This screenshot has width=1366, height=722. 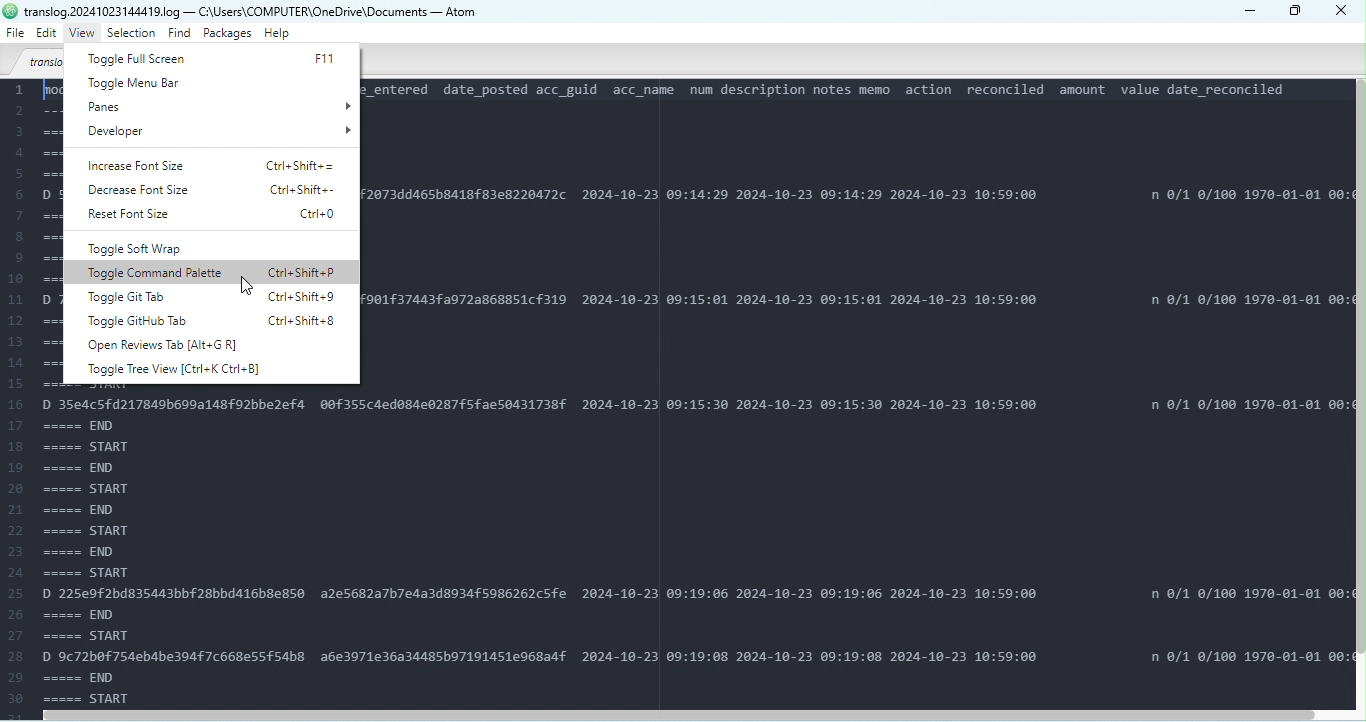 What do you see at coordinates (1248, 10) in the screenshot?
I see `Minimize` at bounding box center [1248, 10].